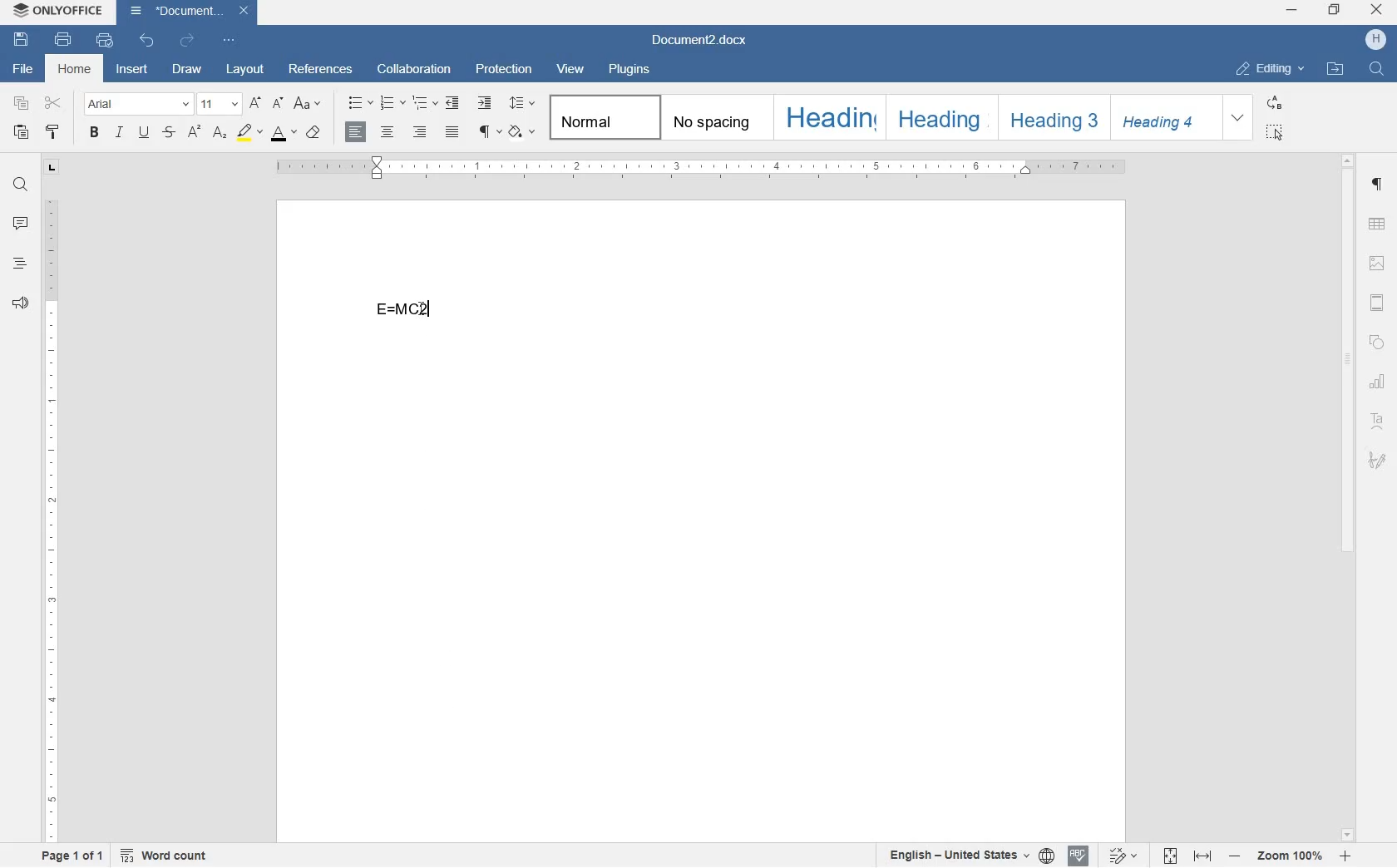 This screenshot has height=868, width=1397. I want to click on cursor, so click(428, 316).